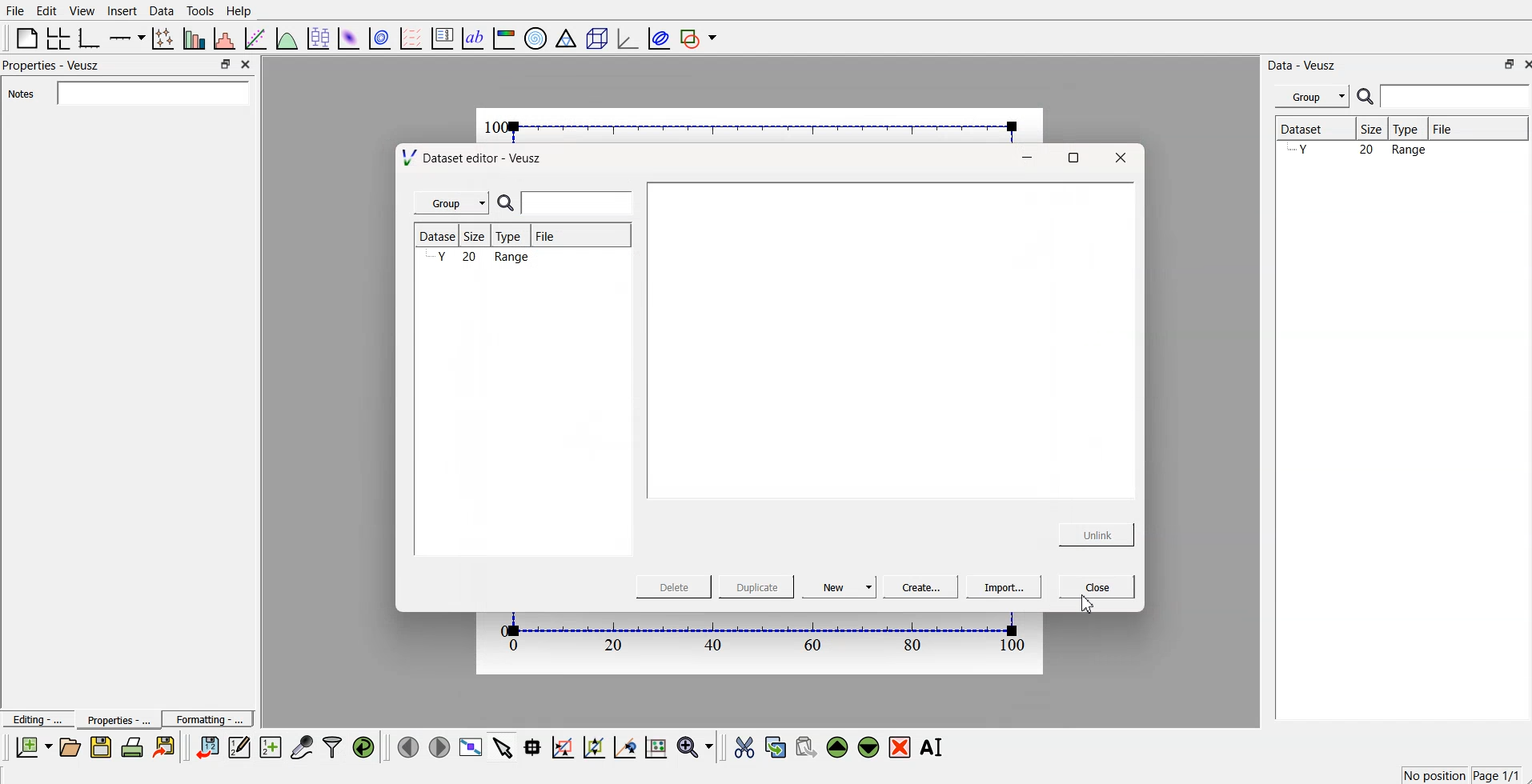 The height and width of the screenshot is (784, 1532). I want to click on Properties - Veusz, so click(52, 66).